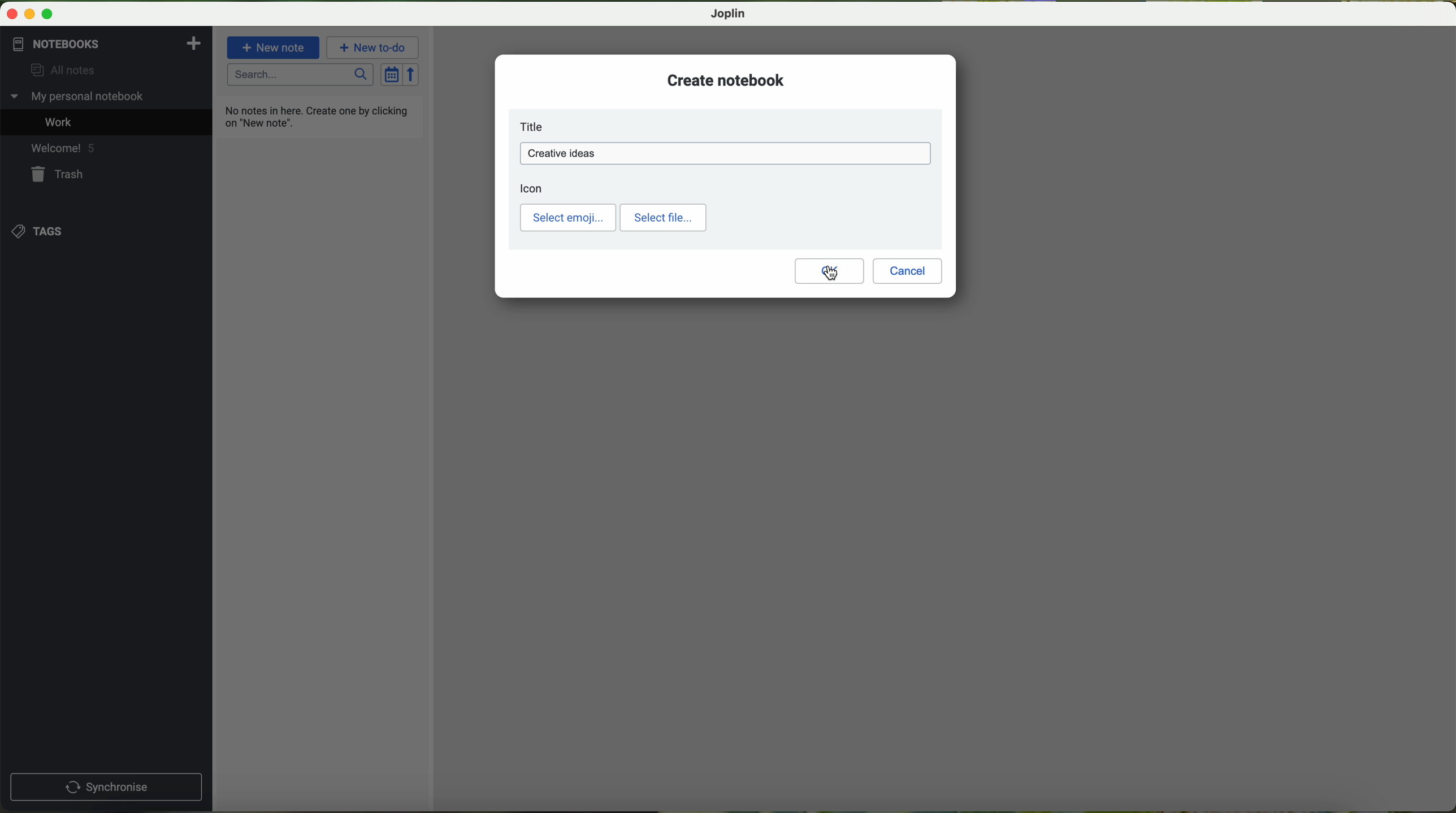 The height and width of the screenshot is (813, 1456). What do you see at coordinates (58, 71) in the screenshot?
I see `all notes` at bounding box center [58, 71].